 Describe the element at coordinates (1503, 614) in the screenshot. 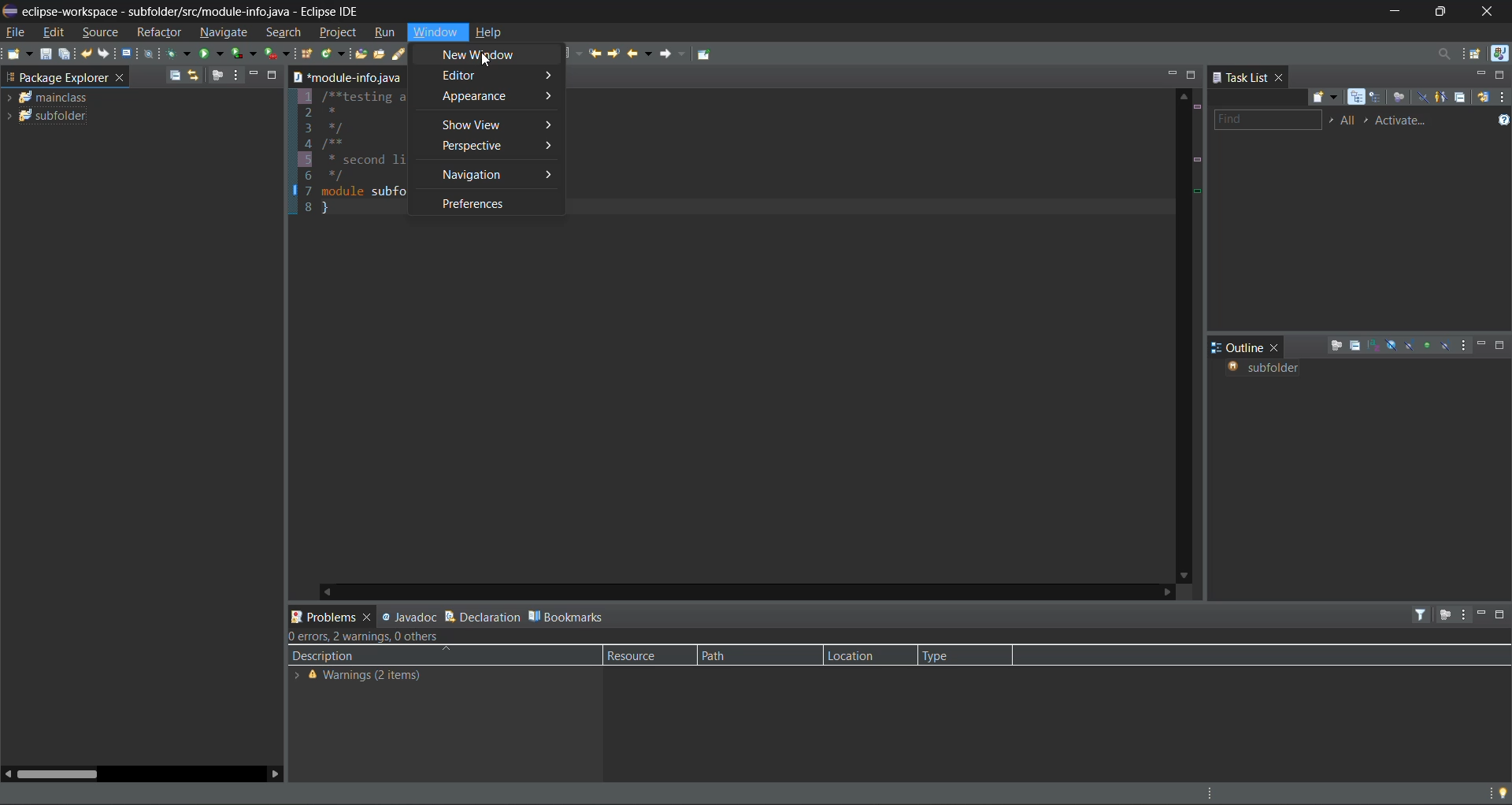

I see `maximize` at that location.